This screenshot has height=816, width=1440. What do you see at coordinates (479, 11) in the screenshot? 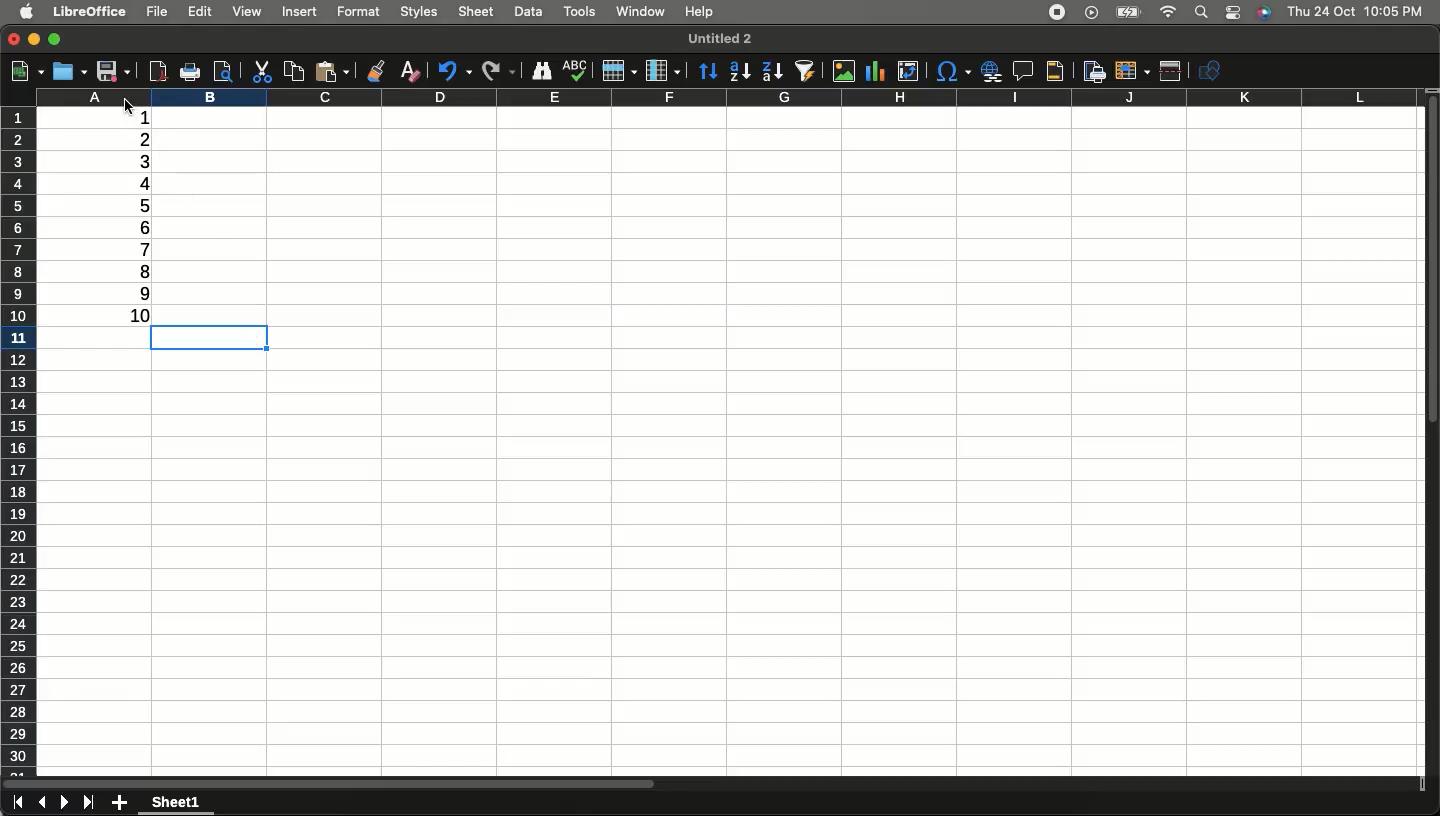
I see `Sheet` at bounding box center [479, 11].